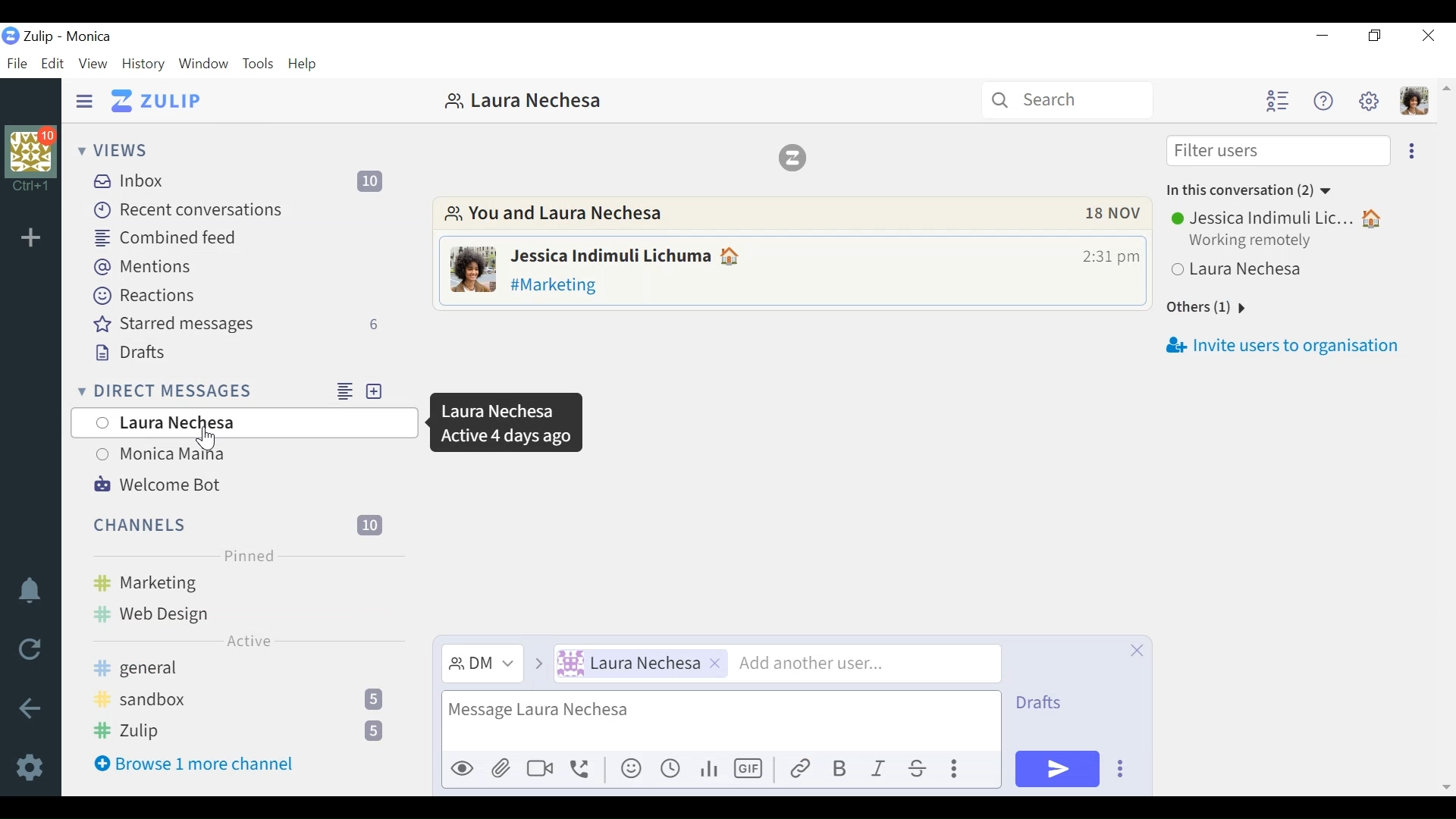 This screenshot has width=1456, height=819. I want to click on Add global time, so click(670, 769).